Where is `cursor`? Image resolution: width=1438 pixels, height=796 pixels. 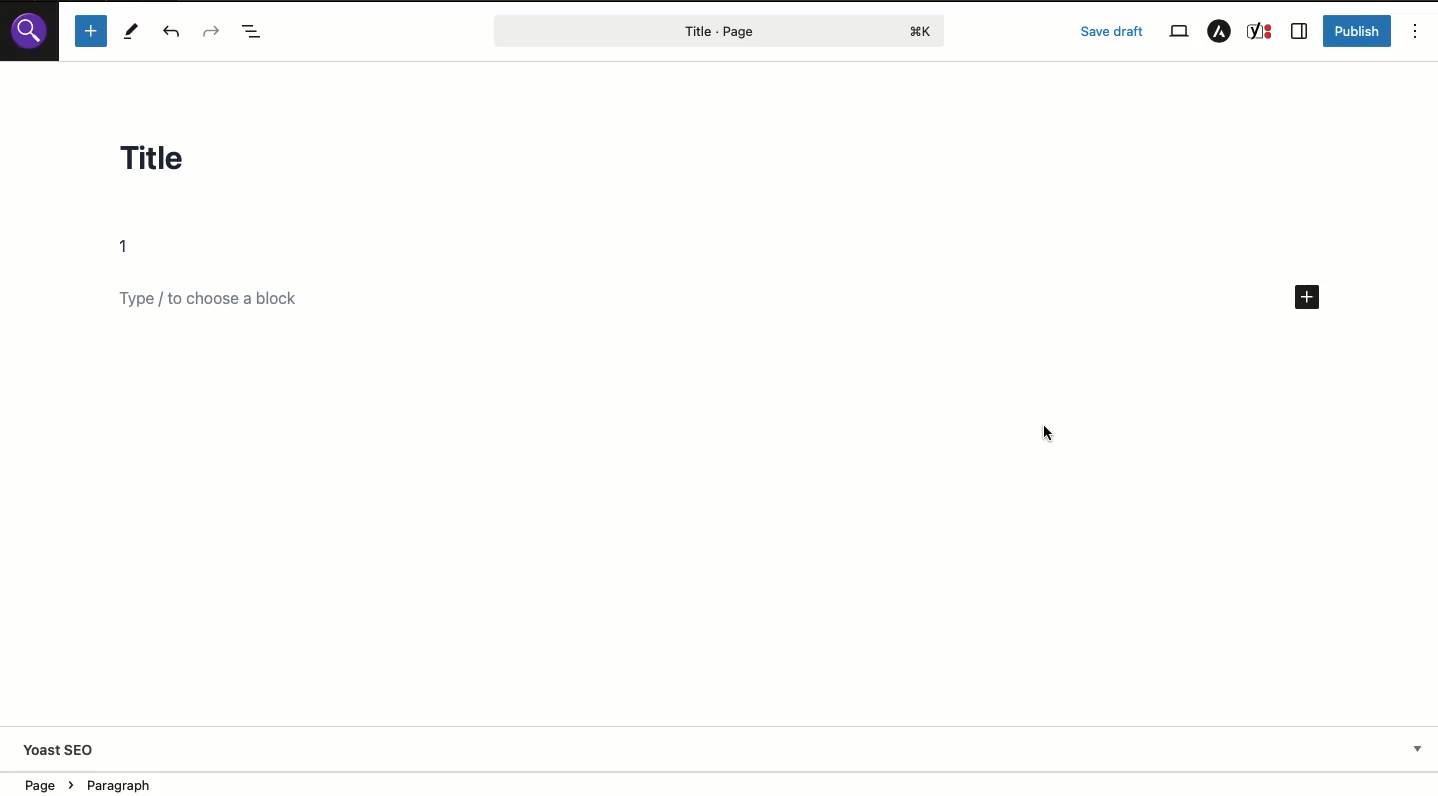 cursor is located at coordinates (1047, 429).